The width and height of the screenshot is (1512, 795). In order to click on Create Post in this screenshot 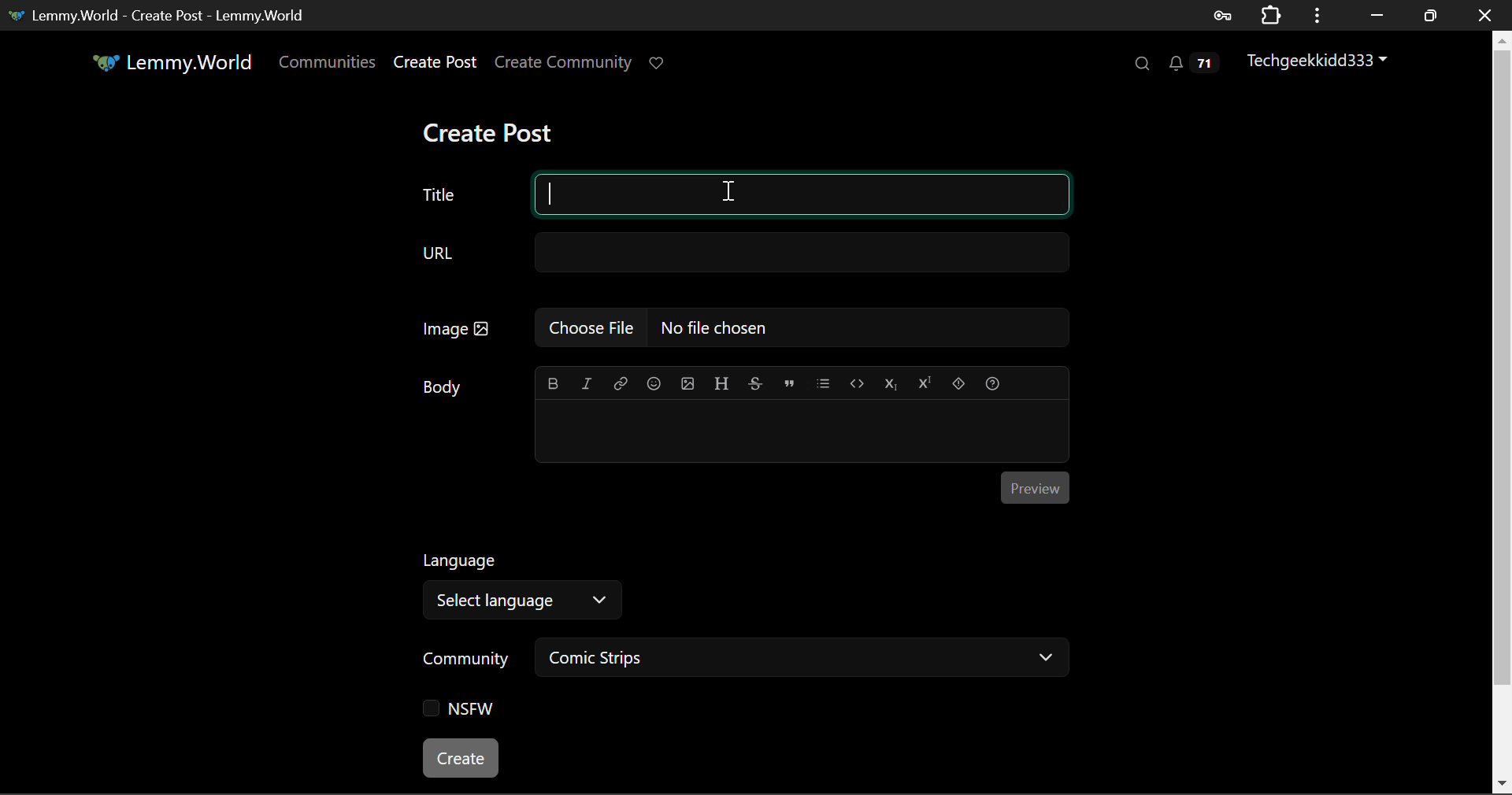, I will do `click(434, 63)`.